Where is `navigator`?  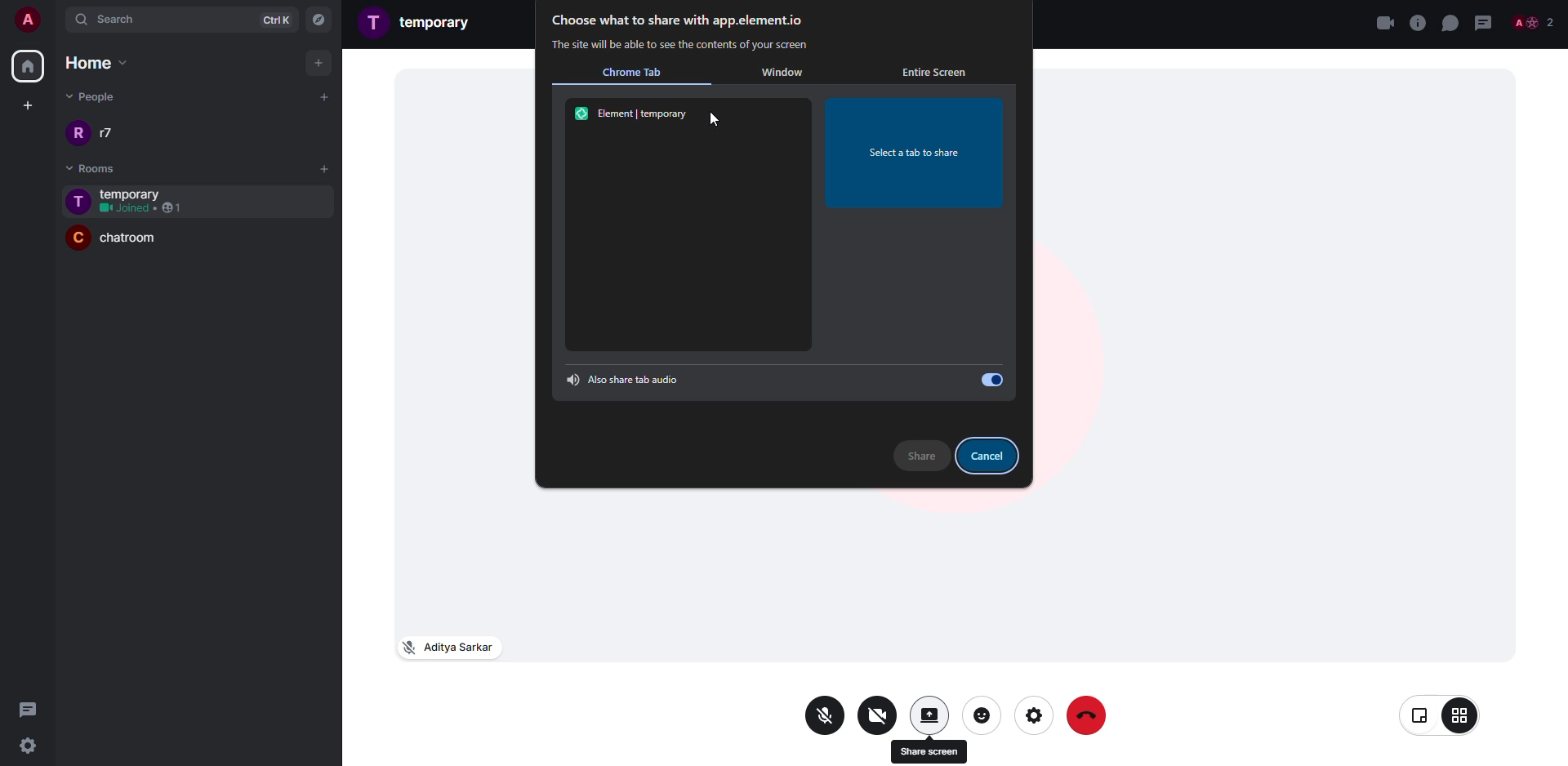 navigator is located at coordinates (318, 20).